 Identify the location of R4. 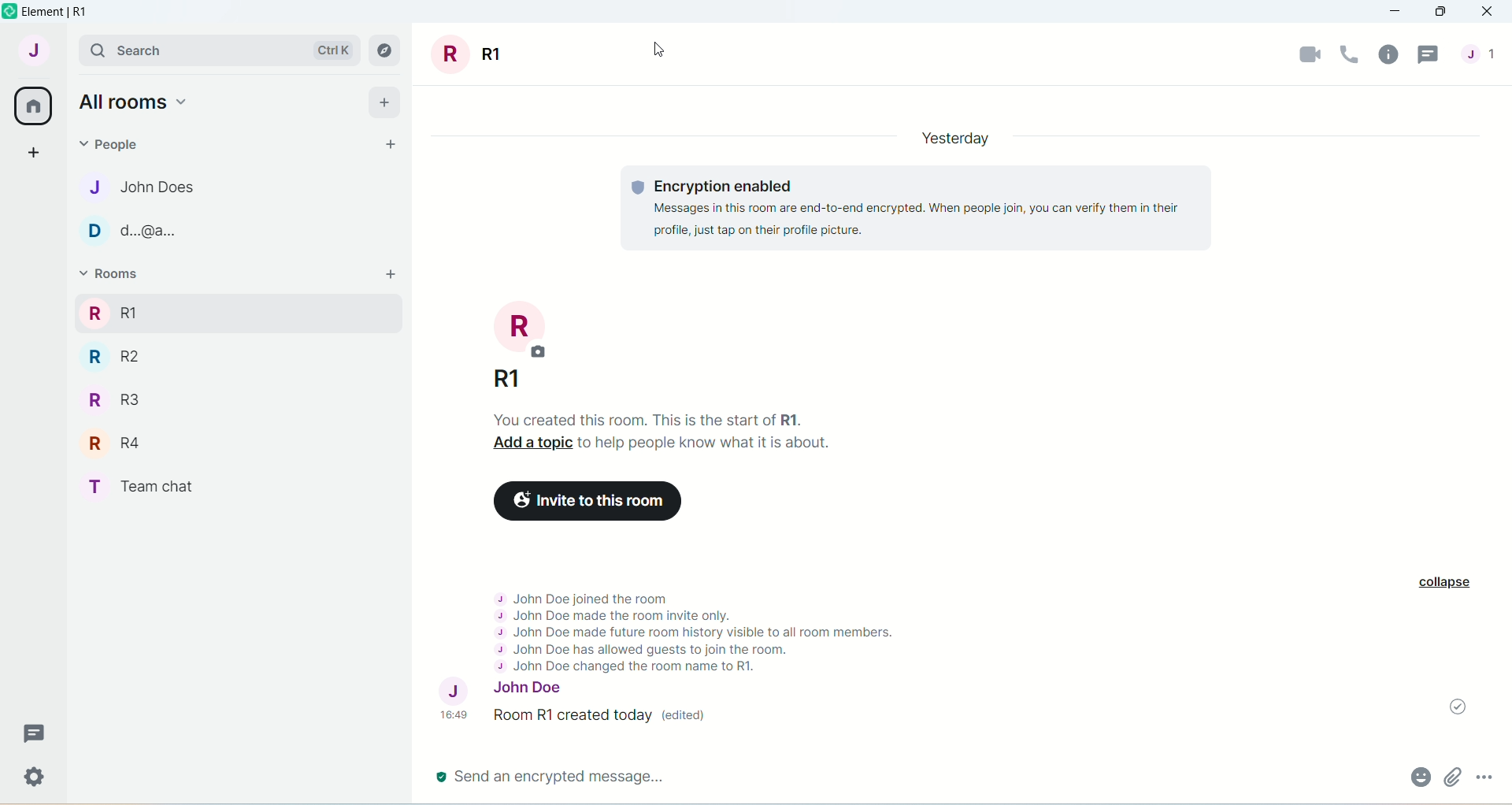
(113, 441).